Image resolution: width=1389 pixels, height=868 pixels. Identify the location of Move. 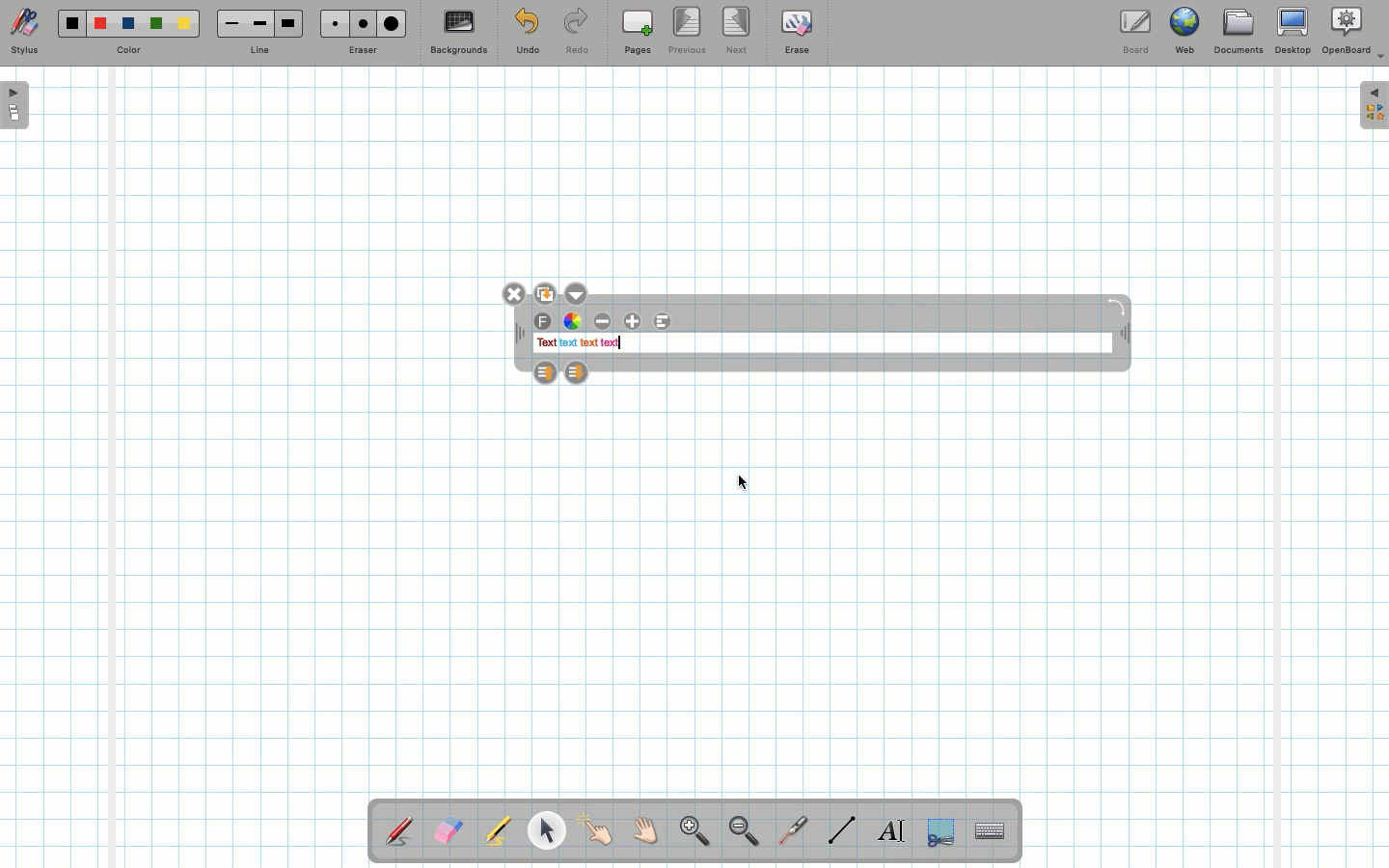
(520, 336).